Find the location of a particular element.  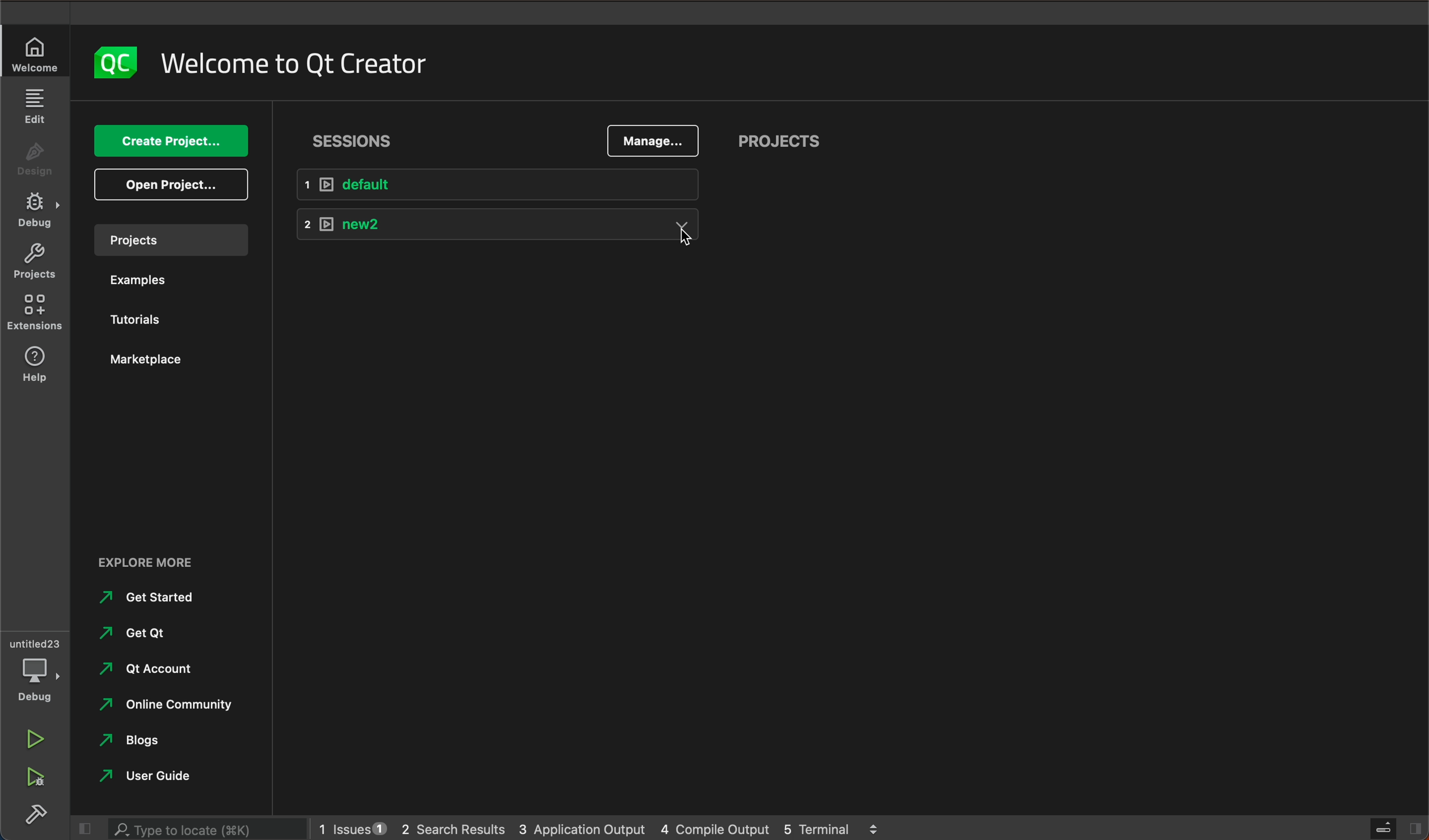

welcome to Qt creator is located at coordinates (314, 60).